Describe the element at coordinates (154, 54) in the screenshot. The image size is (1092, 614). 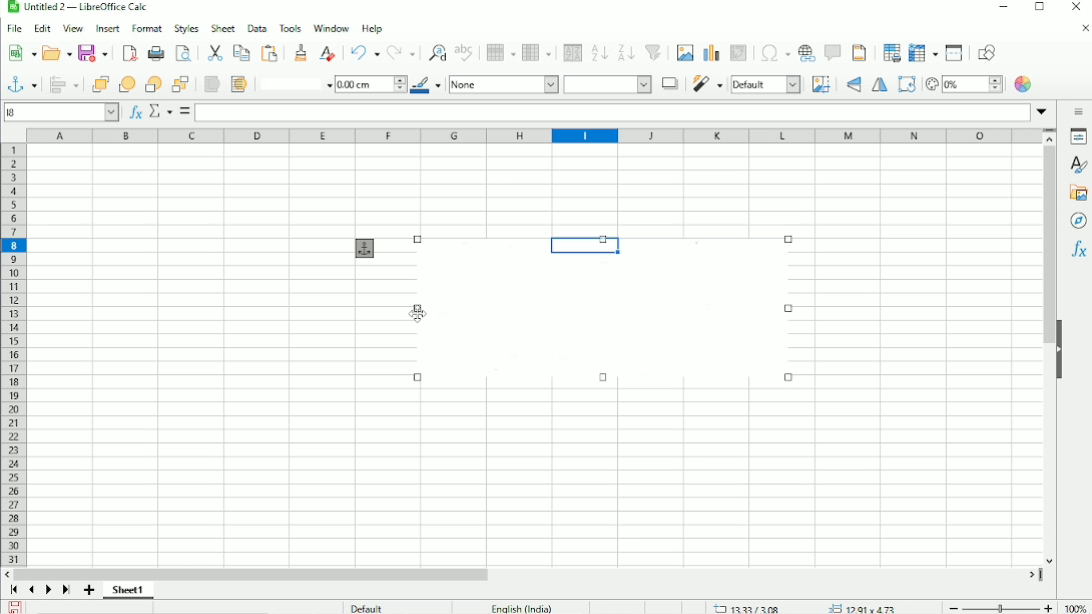
I see `Print` at that location.